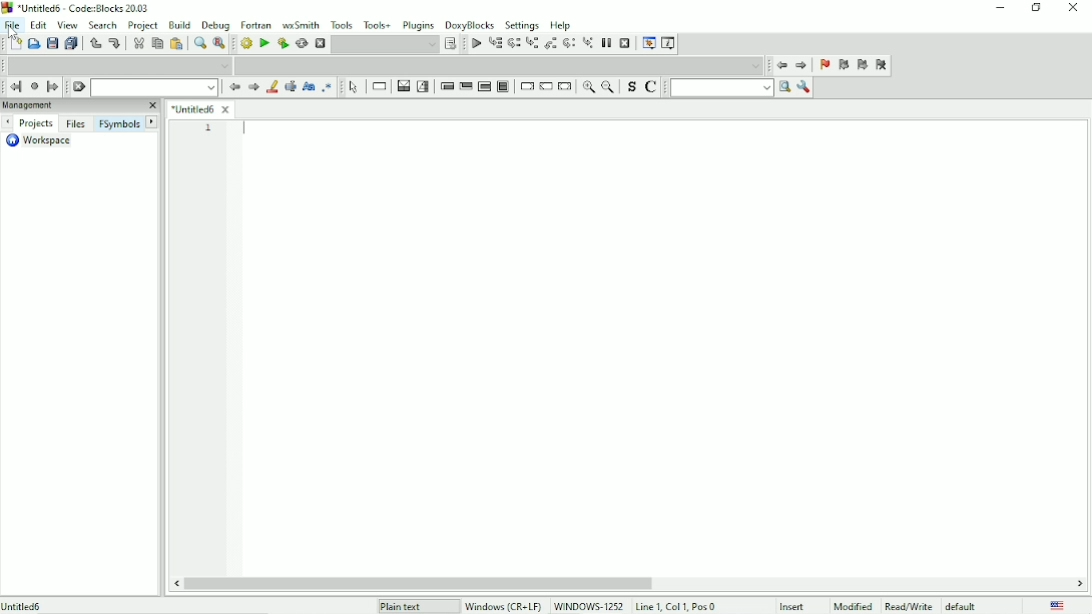 The width and height of the screenshot is (1092, 614). What do you see at coordinates (308, 87) in the screenshot?
I see `Match case` at bounding box center [308, 87].